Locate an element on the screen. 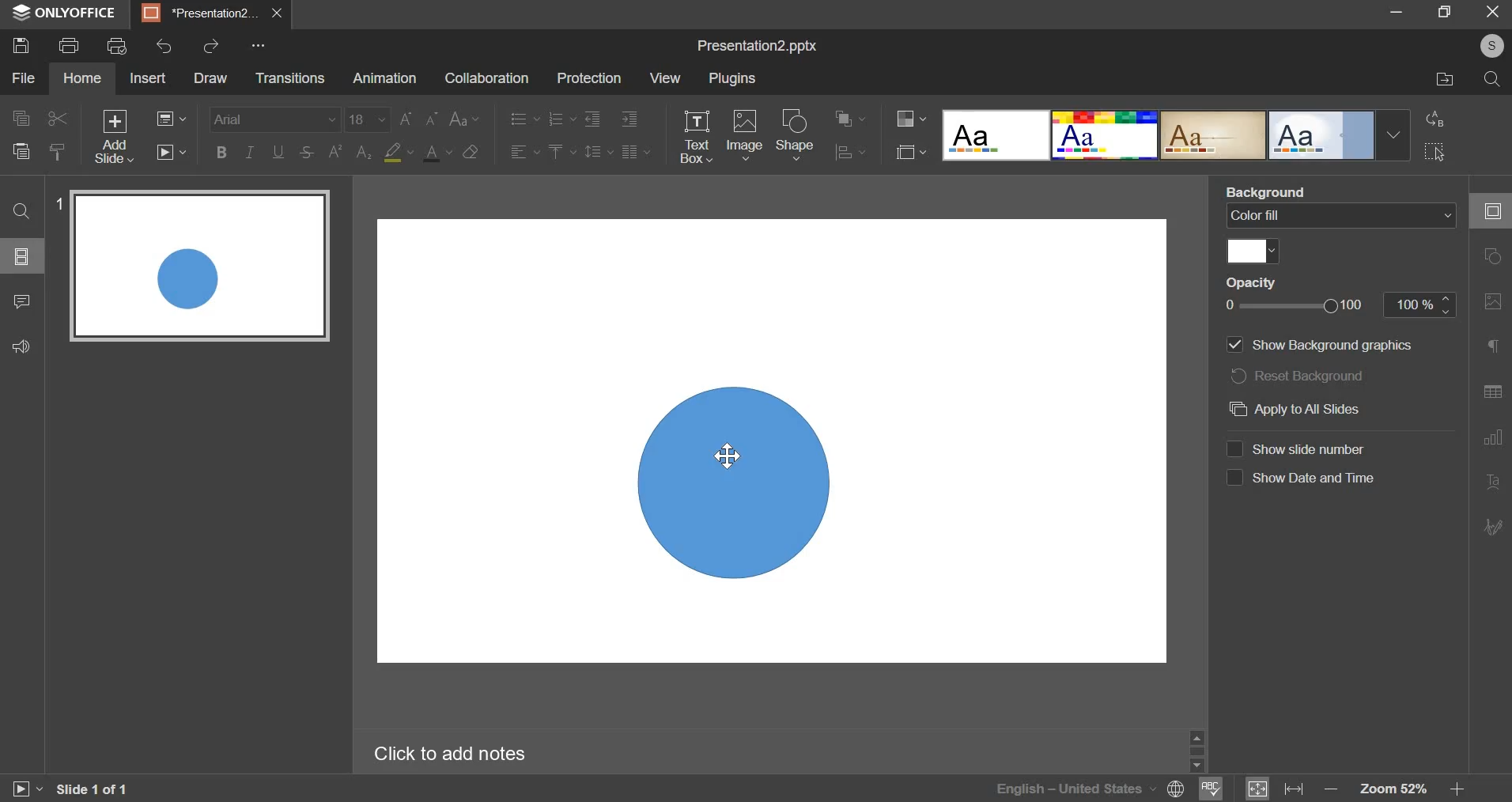 The height and width of the screenshot is (802, 1512). move up is located at coordinates (1200, 736).